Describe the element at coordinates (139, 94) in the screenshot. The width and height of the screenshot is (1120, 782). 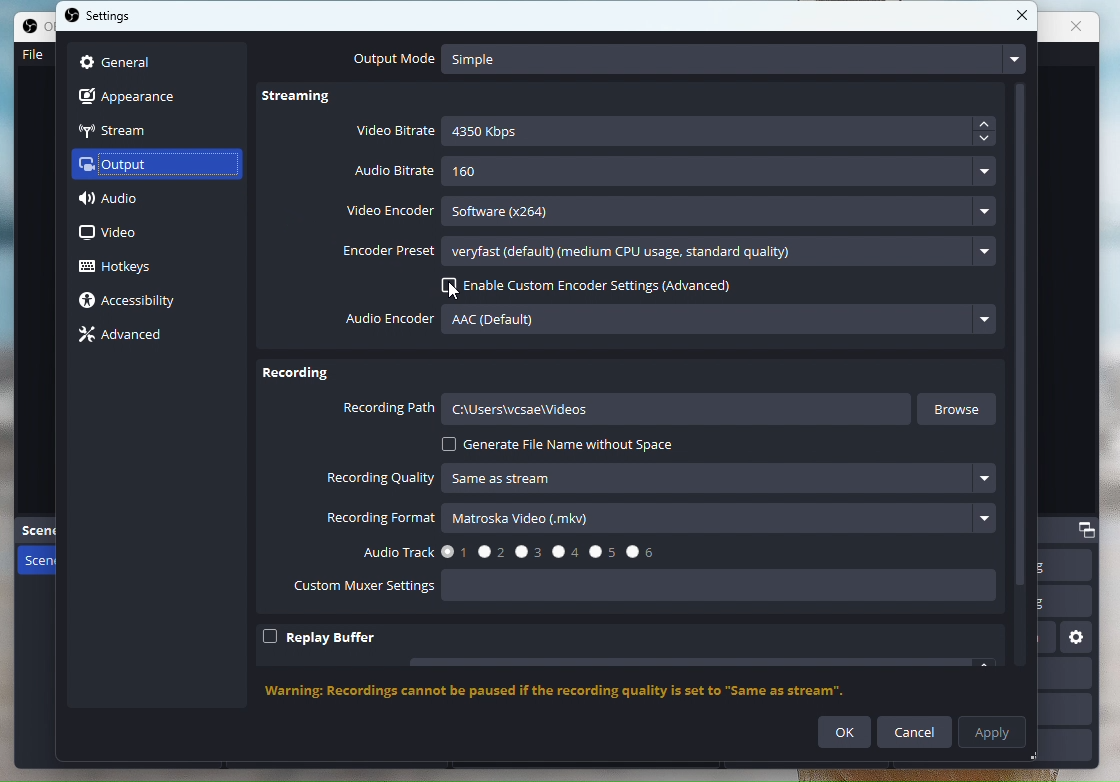
I see `Apperance` at that location.